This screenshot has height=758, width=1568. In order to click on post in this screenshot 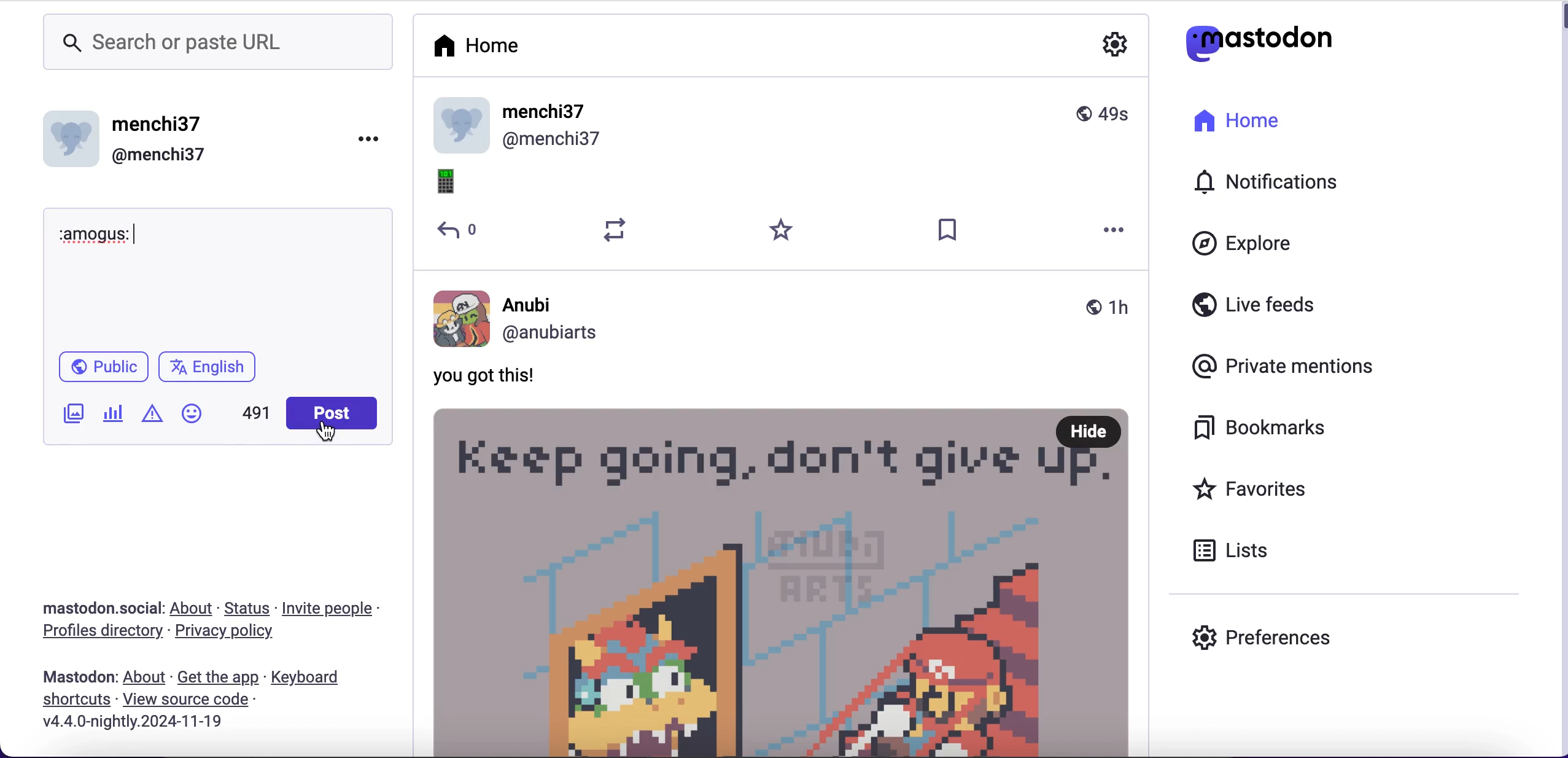, I will do `click(785, 580)`.